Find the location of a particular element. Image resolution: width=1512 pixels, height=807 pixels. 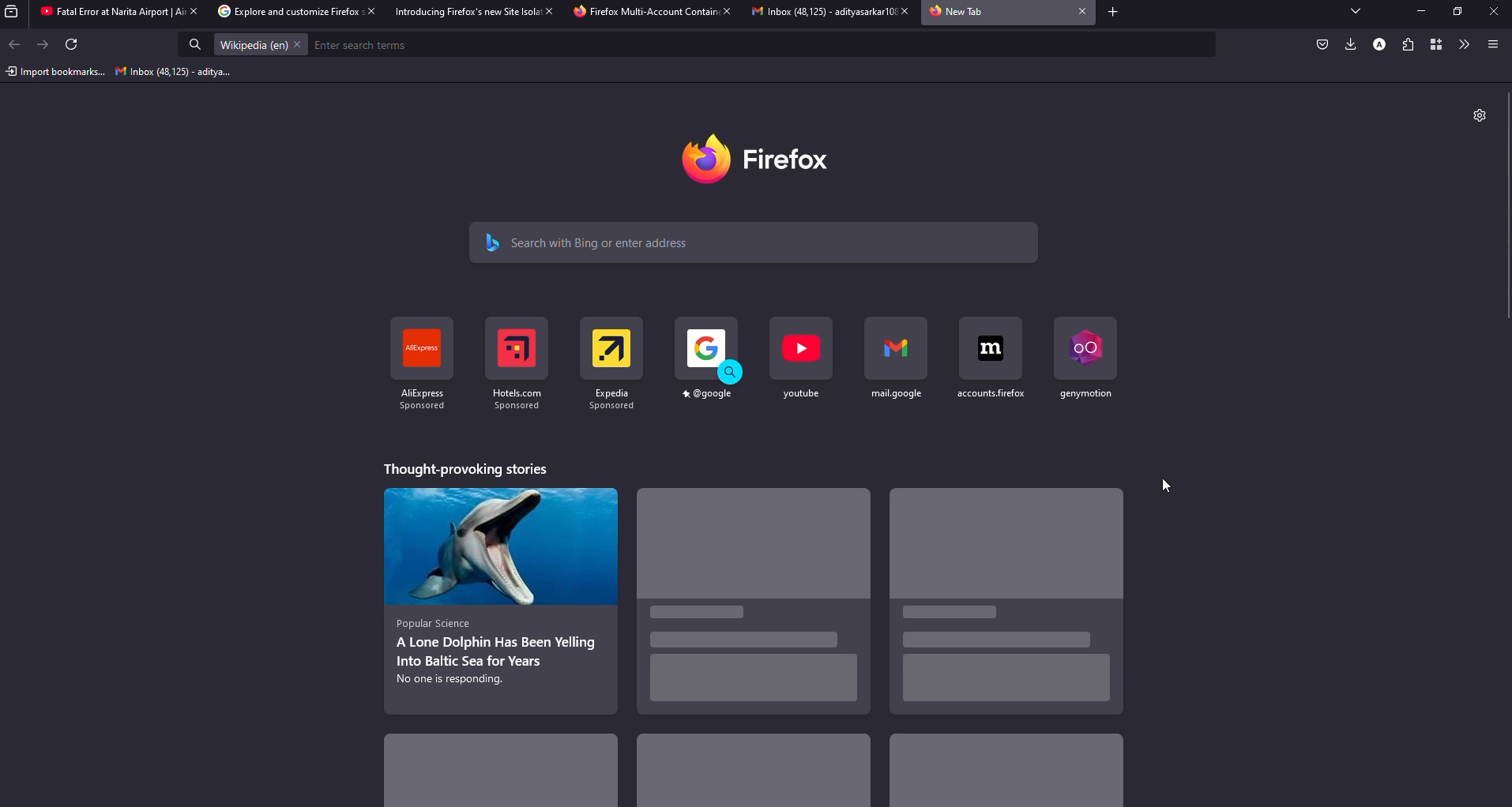

shortcut is located at coordinates (802, 358).